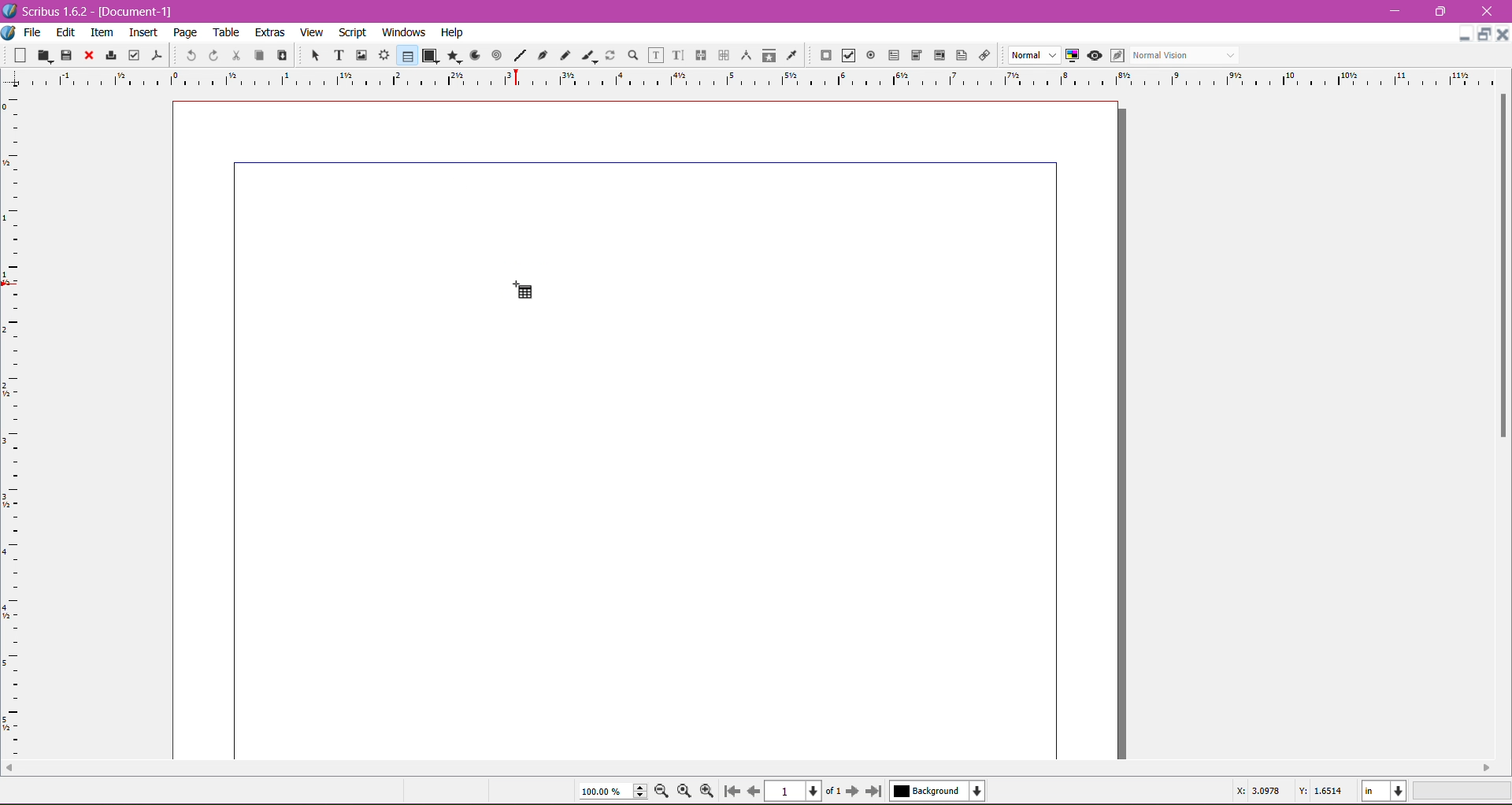 The width and height of the screenshot is (1512, 805). I want to click on Background, so click(941, 791).